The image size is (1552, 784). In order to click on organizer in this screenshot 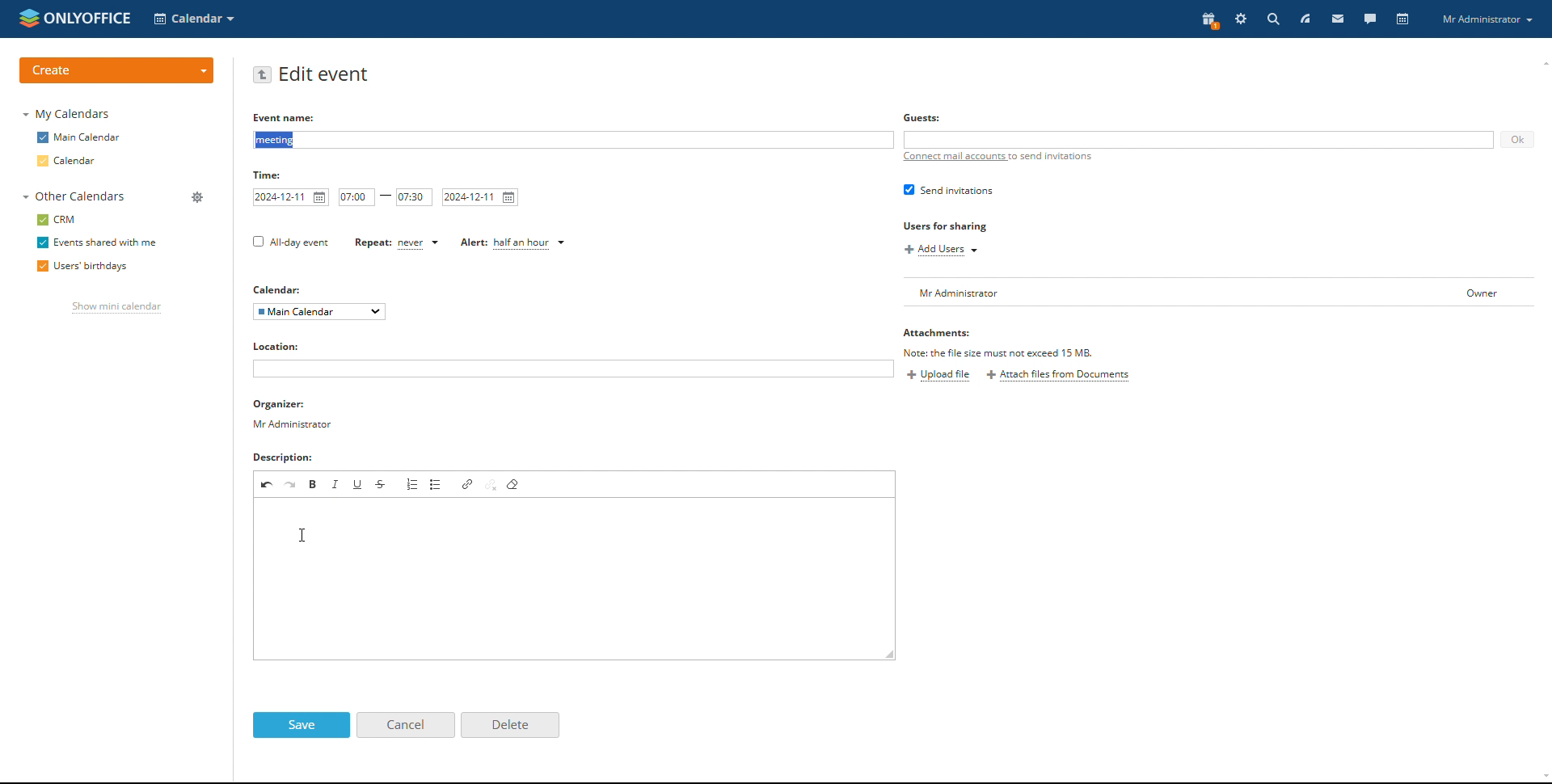, I will do `click(296, 415)`.